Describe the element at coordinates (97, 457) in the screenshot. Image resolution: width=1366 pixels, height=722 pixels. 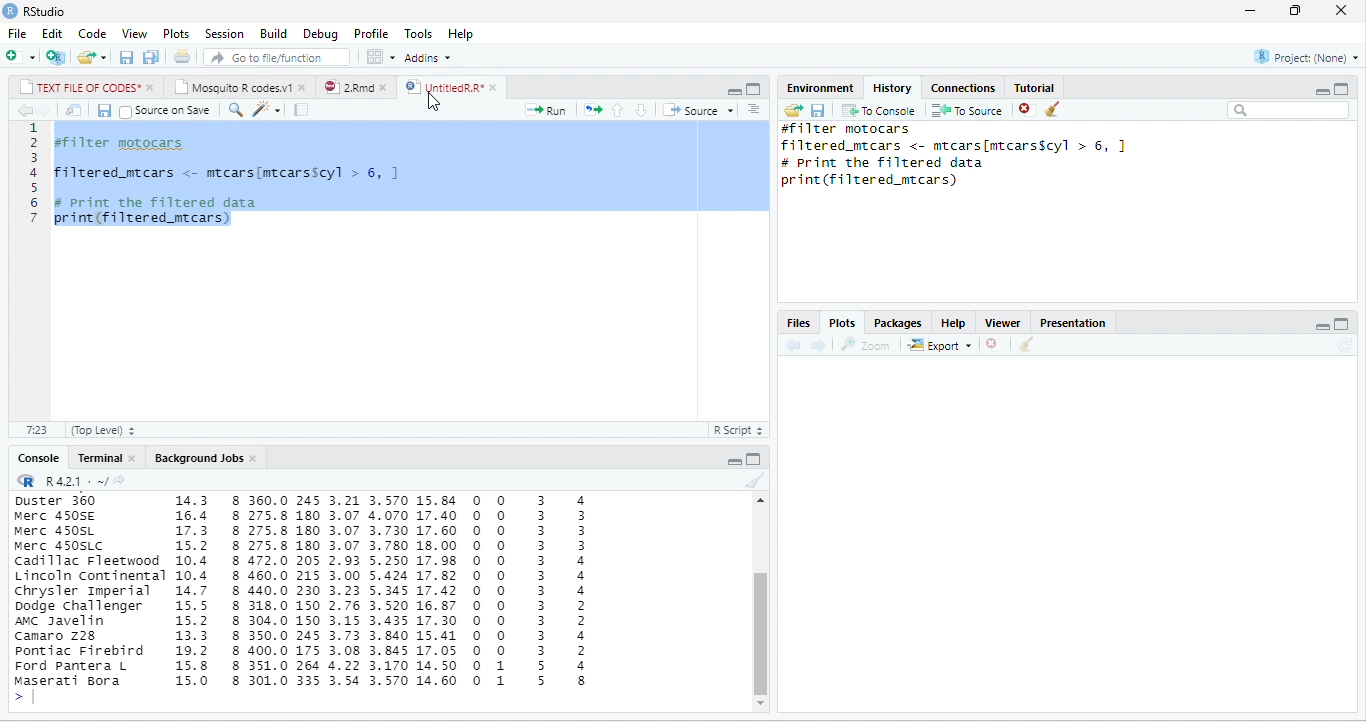
I see `Terminal` at that location.